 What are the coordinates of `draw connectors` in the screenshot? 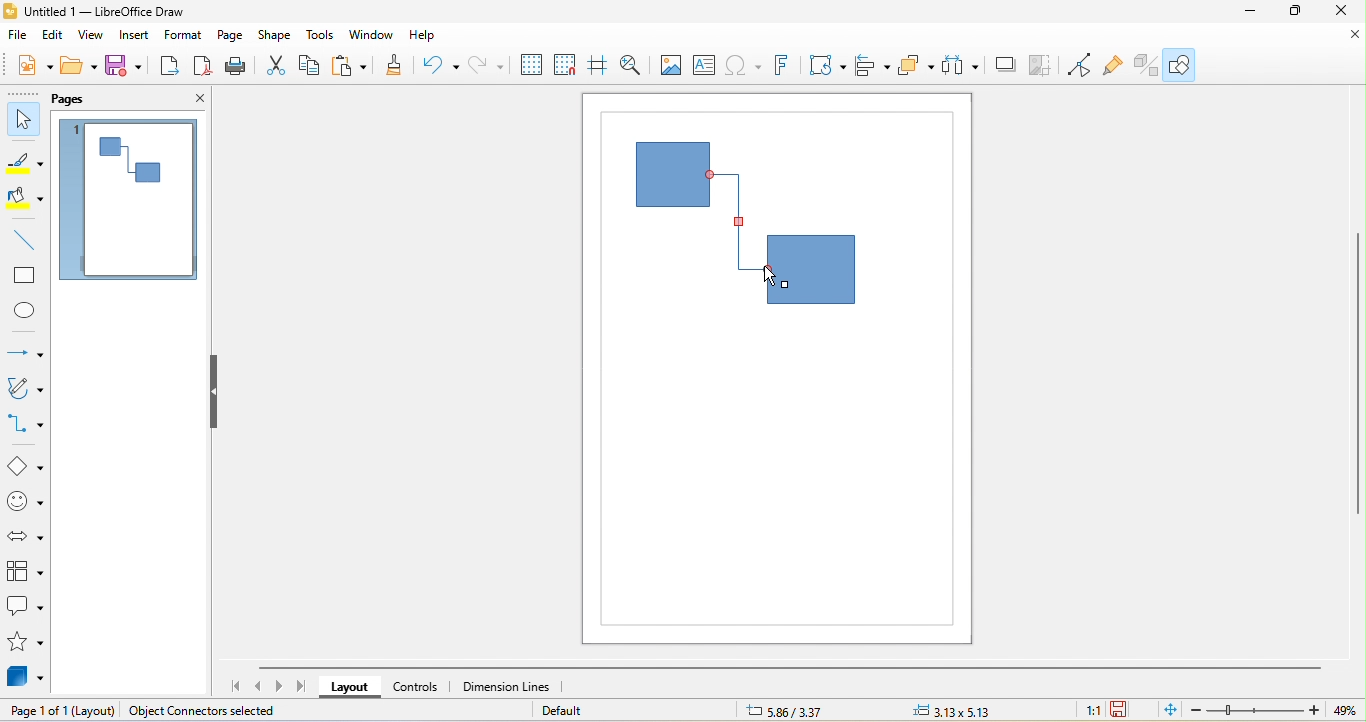 It's located at (131, 160).